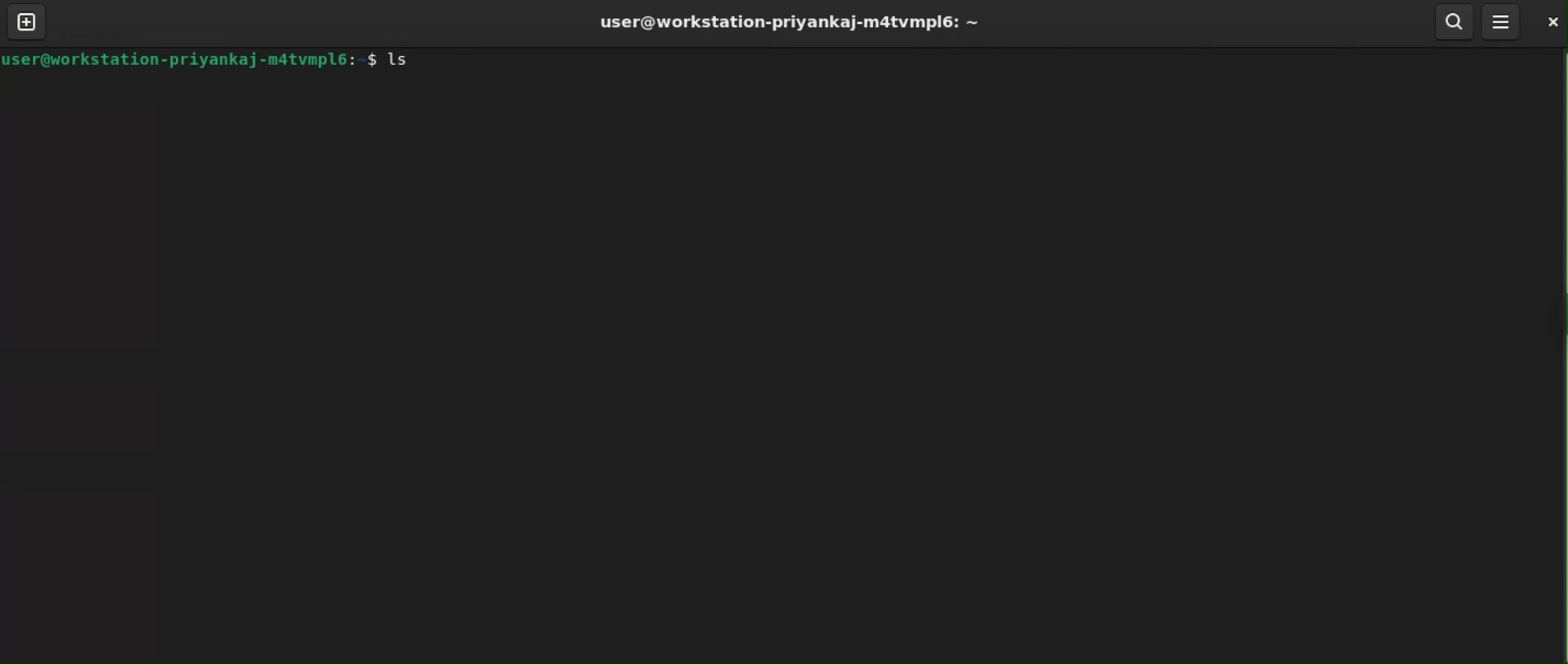 The width and height of the screenshot is (1568, 664). Describe the element at coordinates (1547, 21) in the screenshot. I see `close` at that location.